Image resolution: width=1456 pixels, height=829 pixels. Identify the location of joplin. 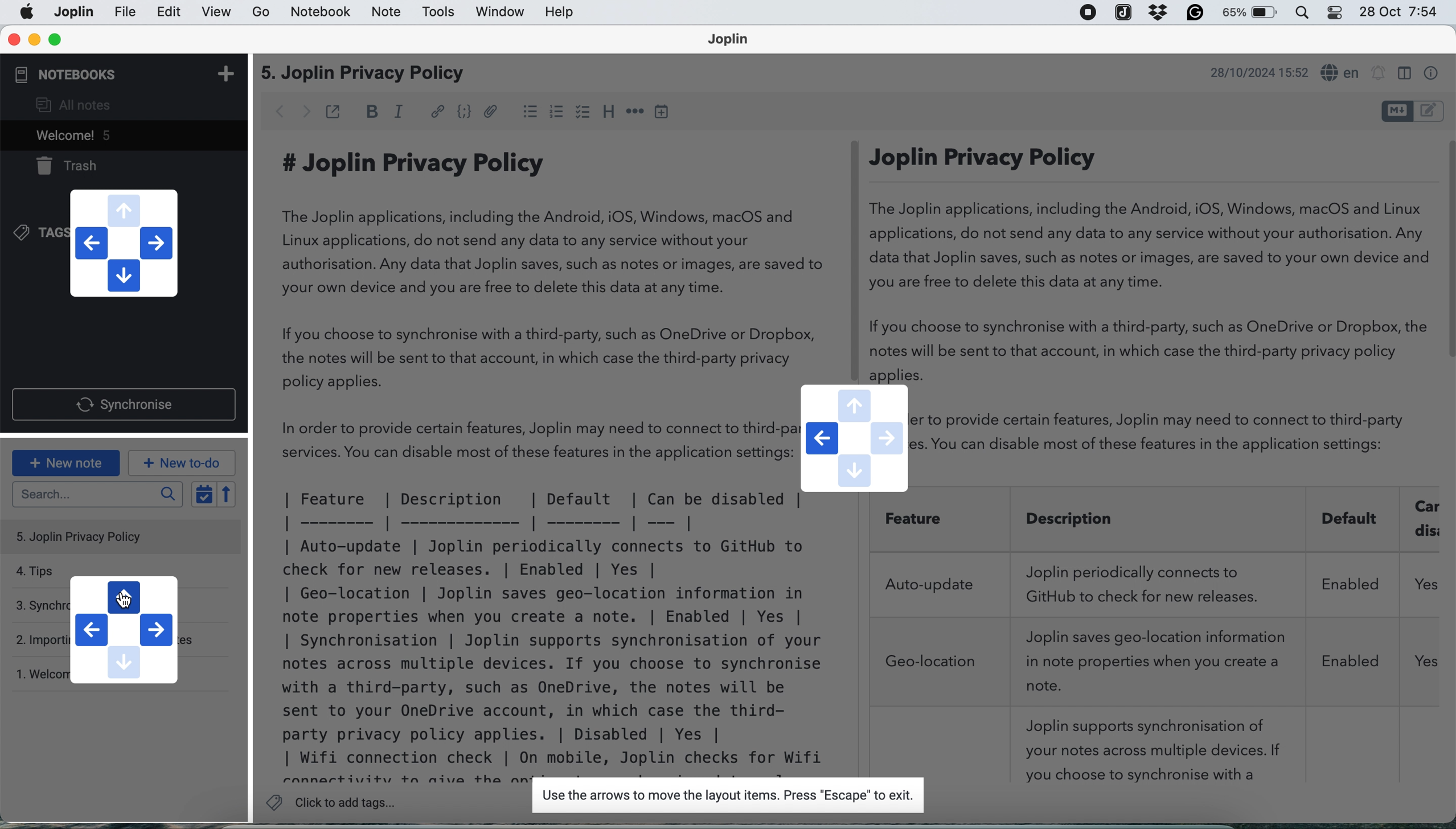
(126, 13).